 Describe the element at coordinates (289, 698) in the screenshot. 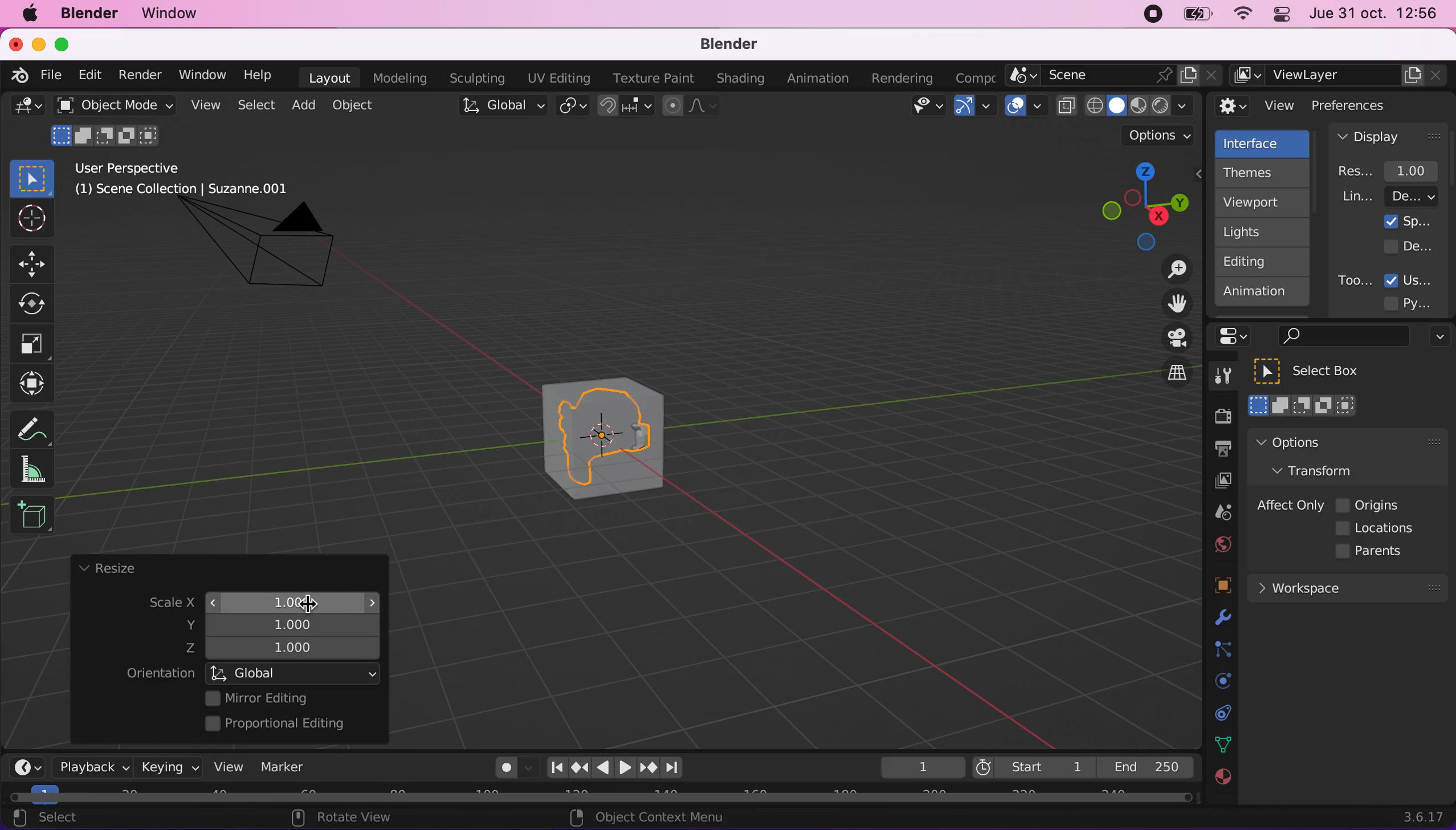

I see `mirror editing` at that location.